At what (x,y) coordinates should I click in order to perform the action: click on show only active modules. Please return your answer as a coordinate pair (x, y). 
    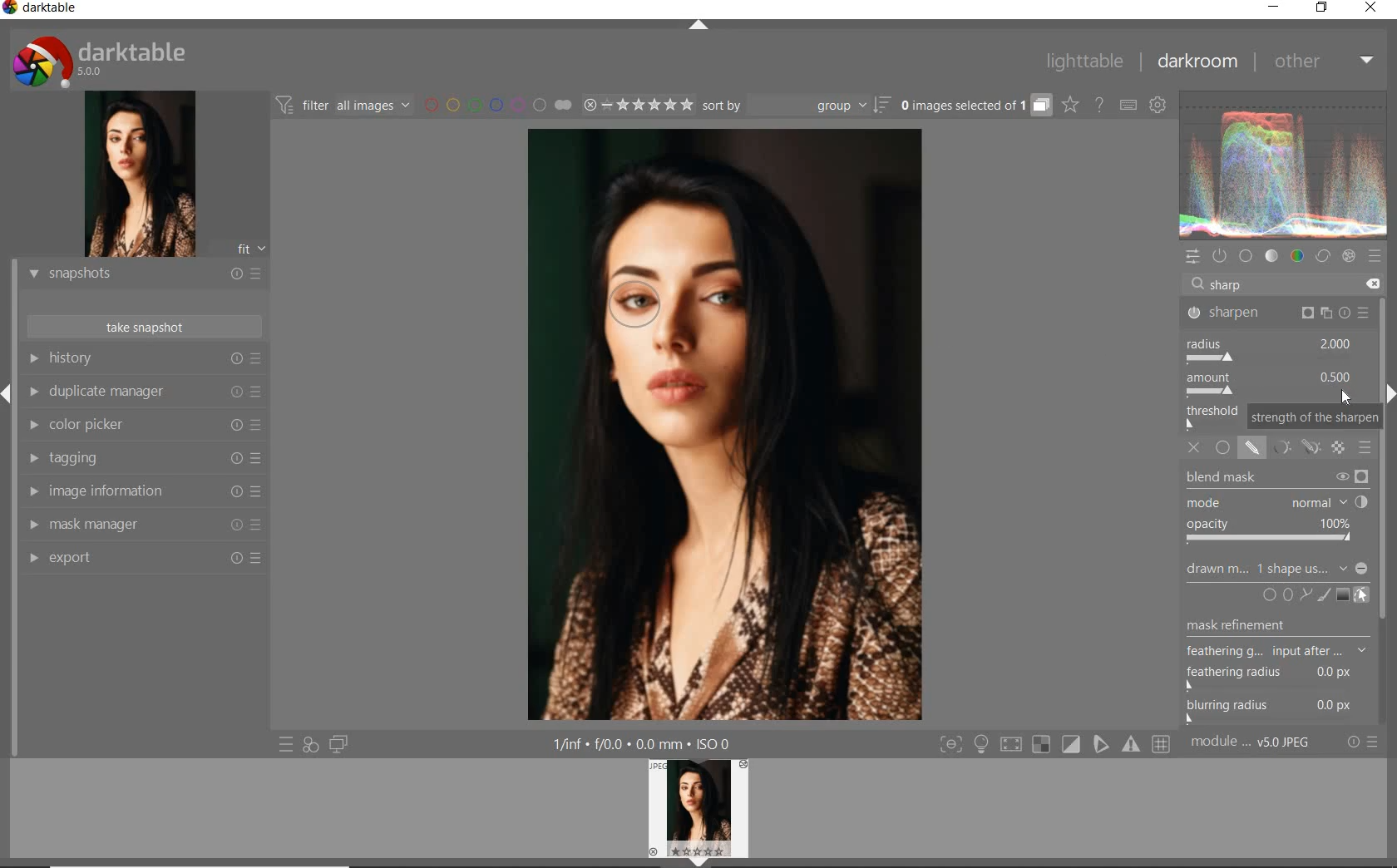
    Looking at the image, I should click on (1222, 255).